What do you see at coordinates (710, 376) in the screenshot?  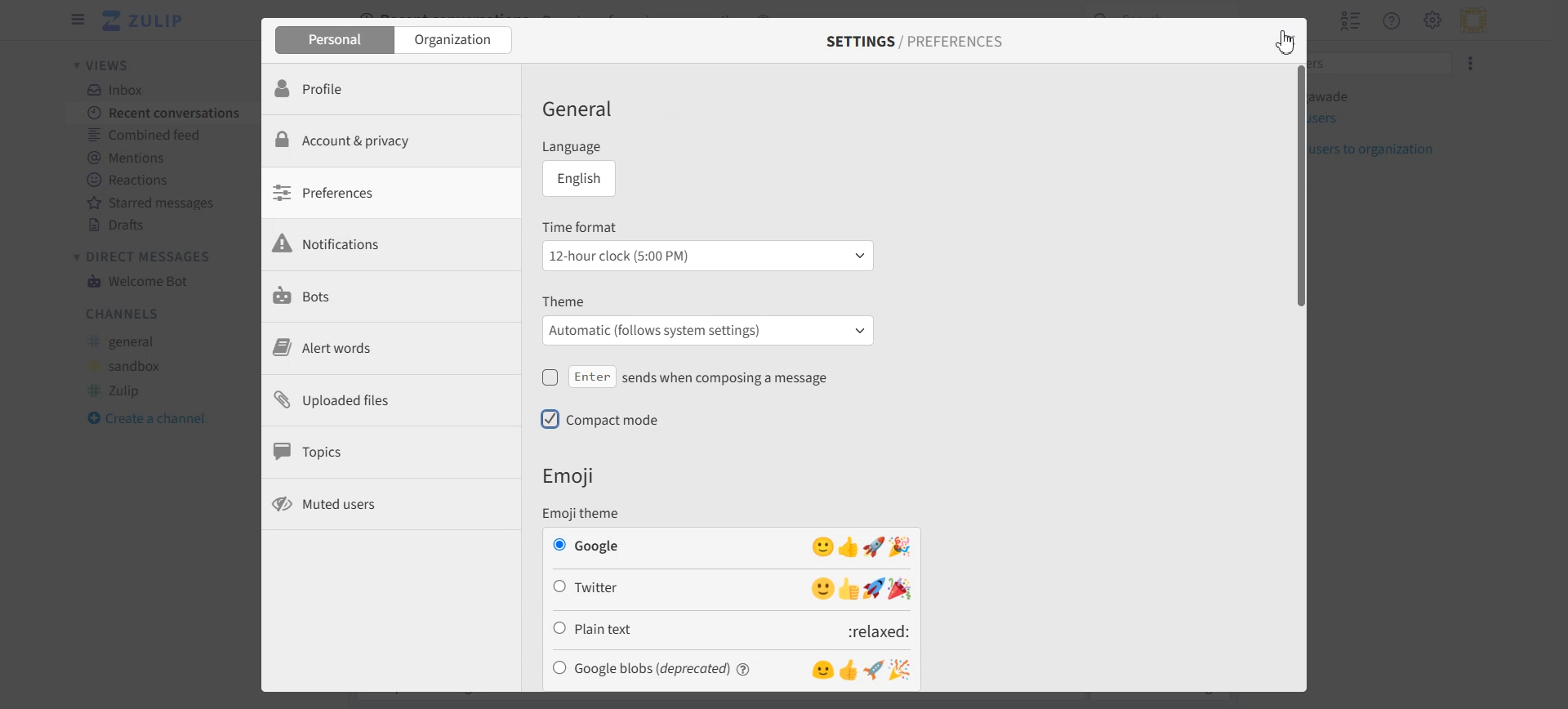 I see `Enter sends when composing a message` at bounding box center [710, 376].